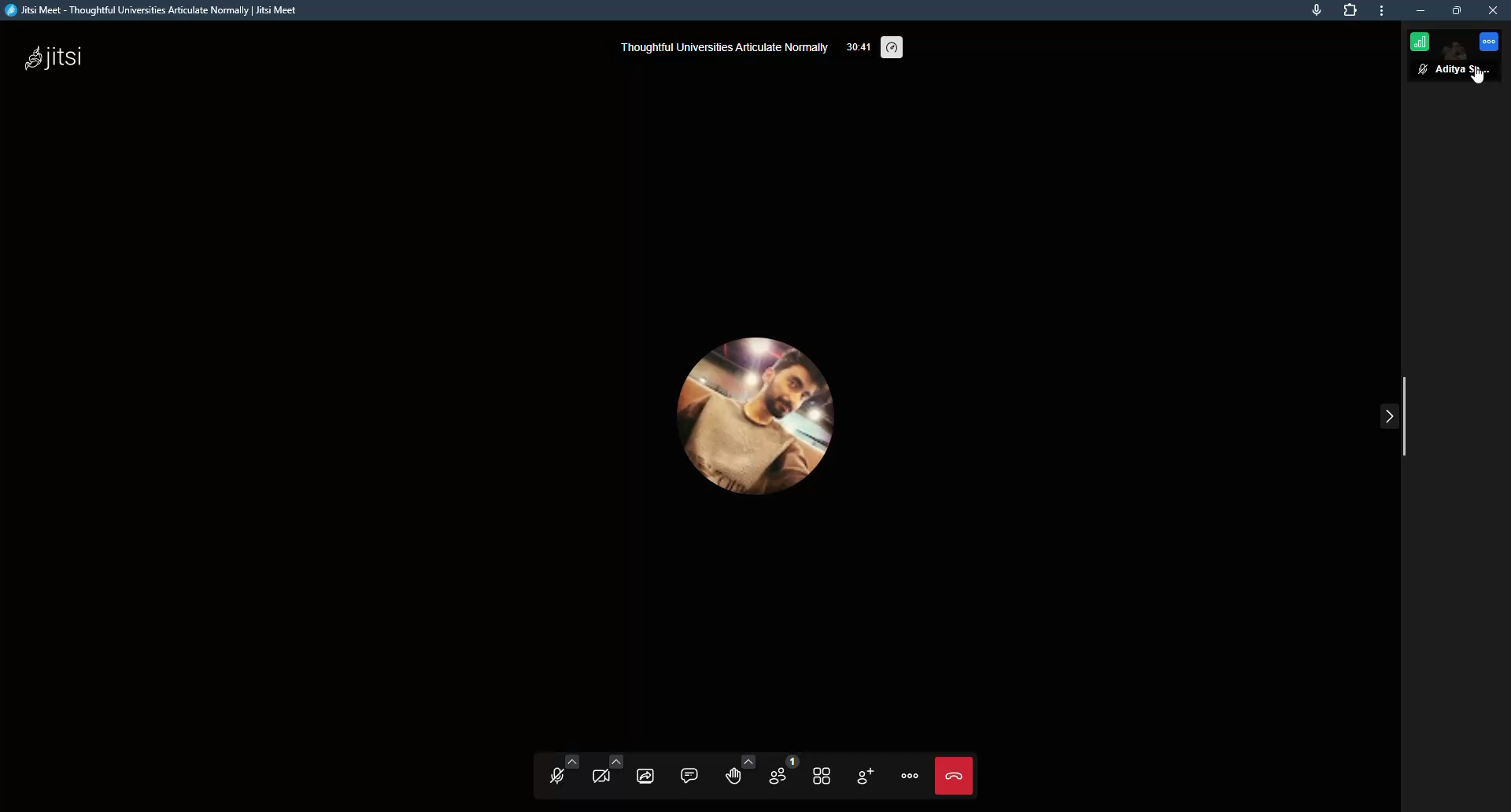 The image size is (1511, 812). Describe the element at coordinates (1493, 12) in the screenshot. I see `close` at that location.